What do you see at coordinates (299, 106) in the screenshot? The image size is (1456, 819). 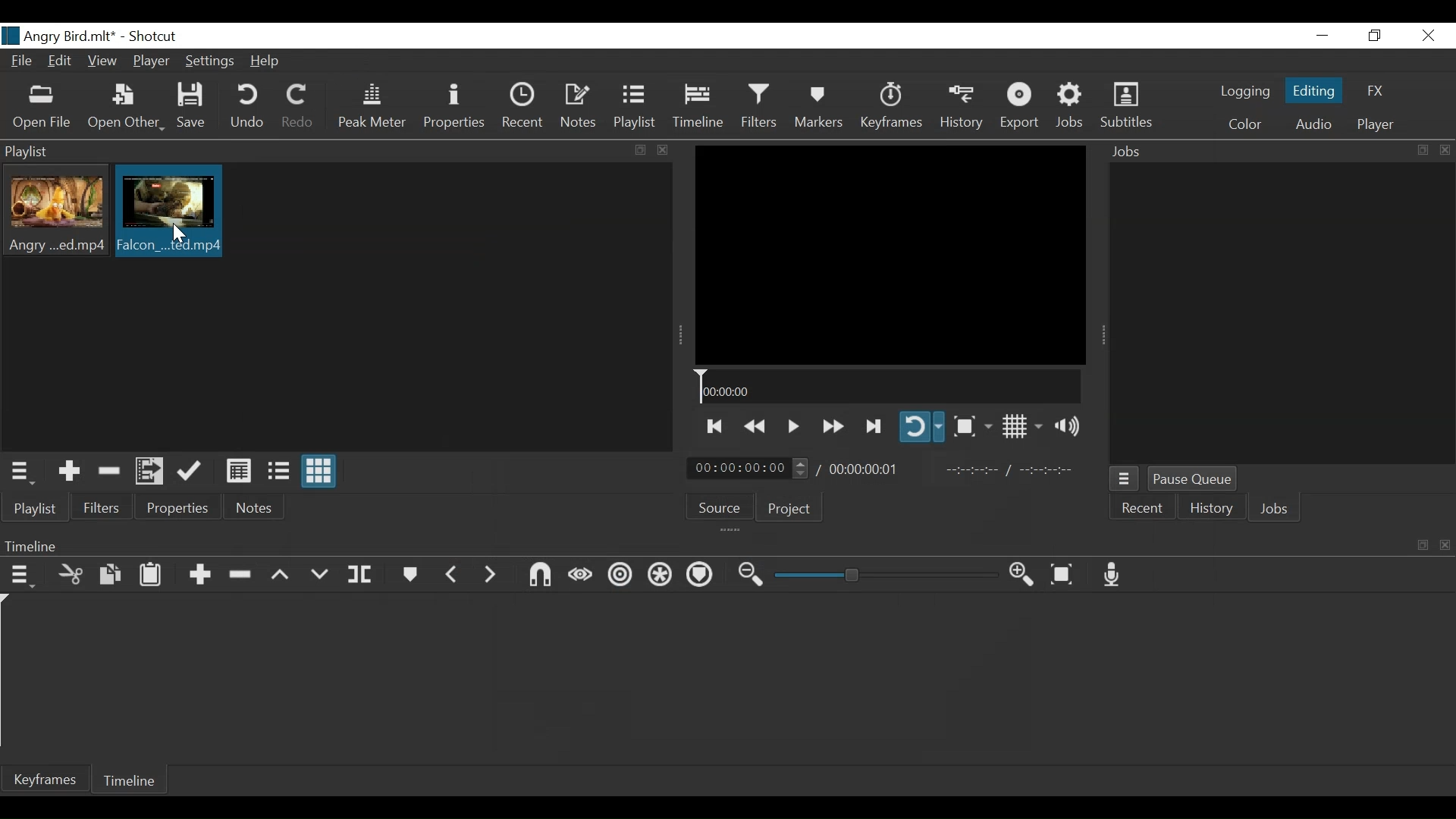 I see `Redo` at bounding box center [299, 106].